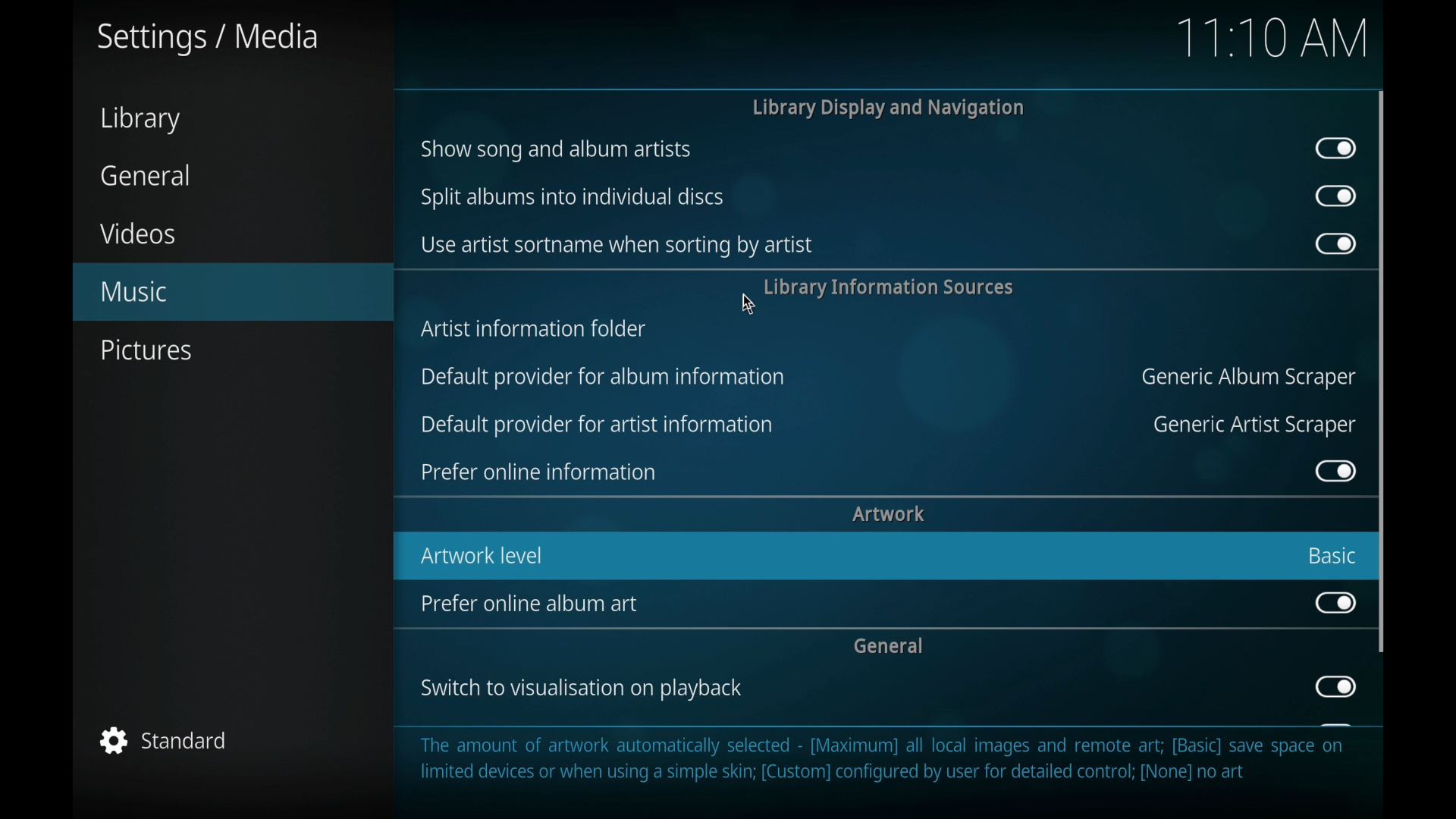 Image resolution: width=1456 pixels, height=819 pixels. What do you see at coordinates (1335, 244) in the screenshot?
I see `toggle button` at bounding box center [1335, 244].